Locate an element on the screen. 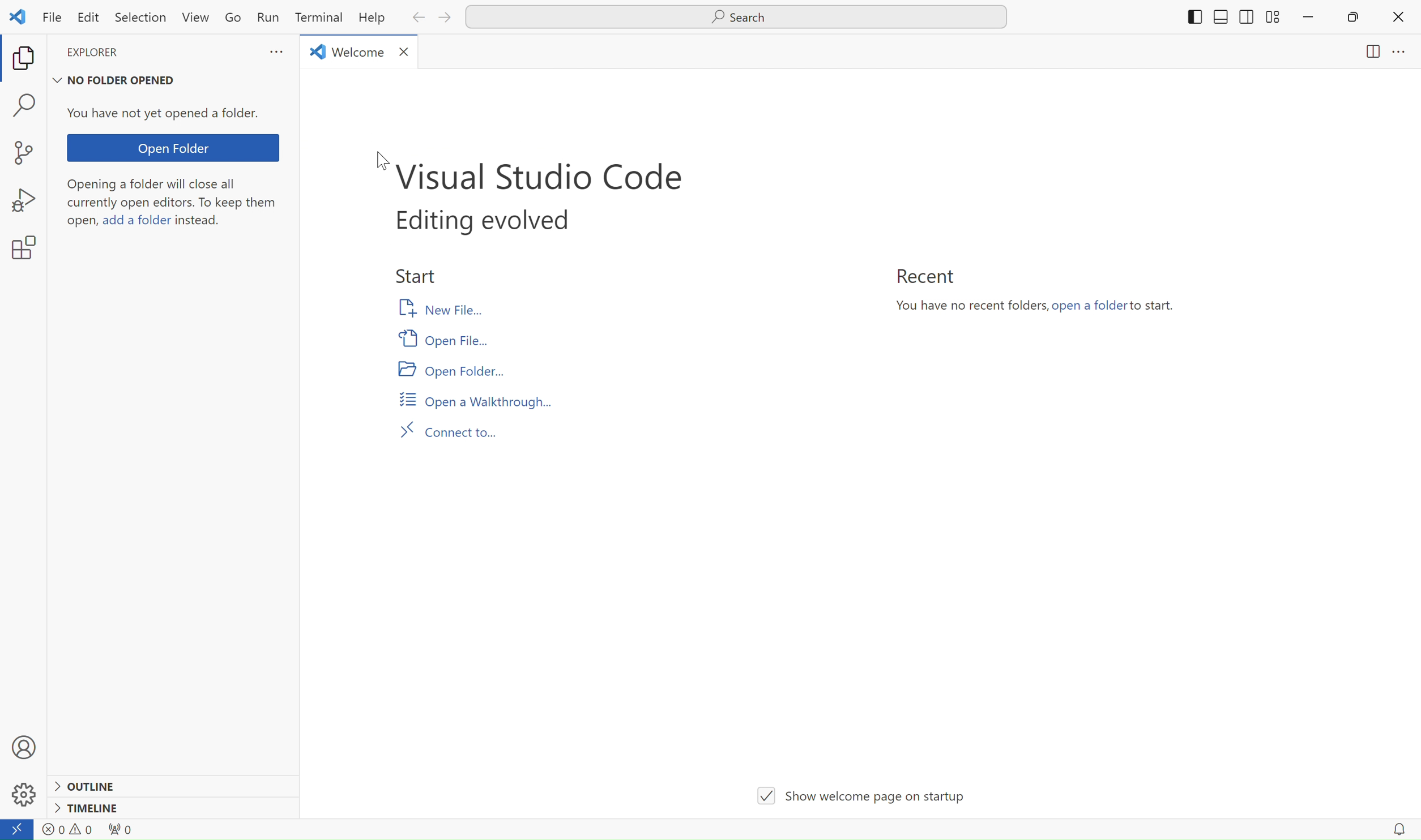  View is located at coordinates (197, 19).